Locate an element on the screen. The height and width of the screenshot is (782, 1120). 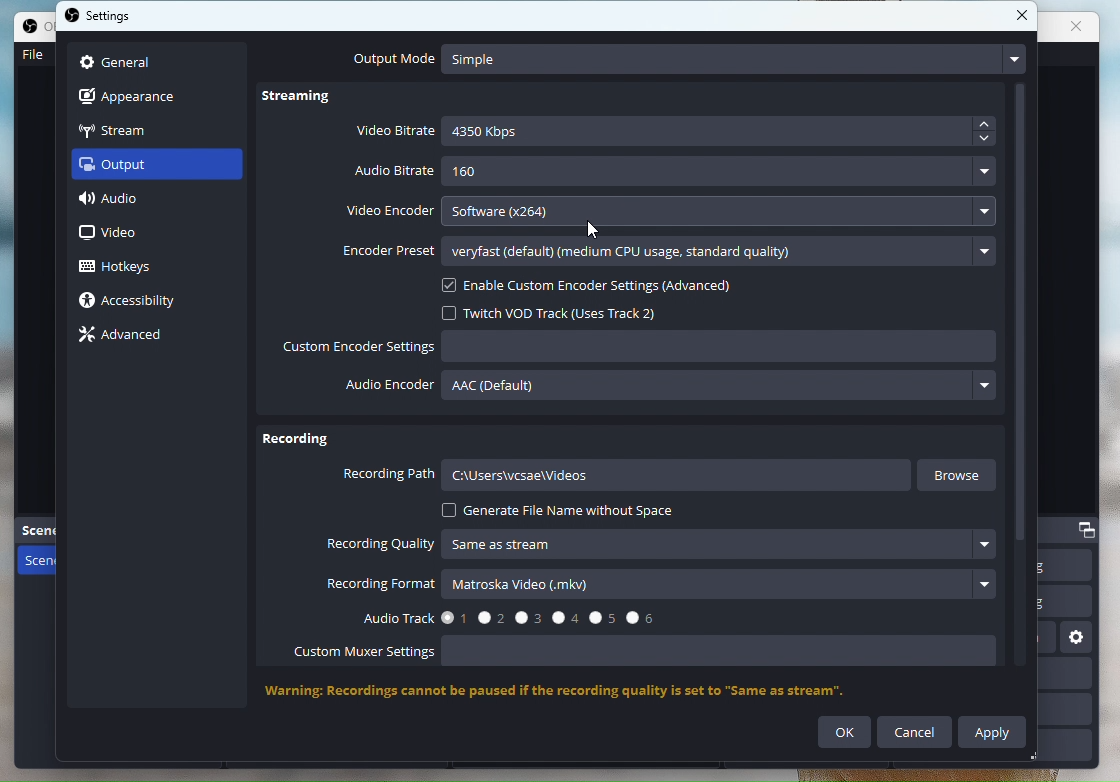
Custom encoder Settings is located at coordinates (641, 349).